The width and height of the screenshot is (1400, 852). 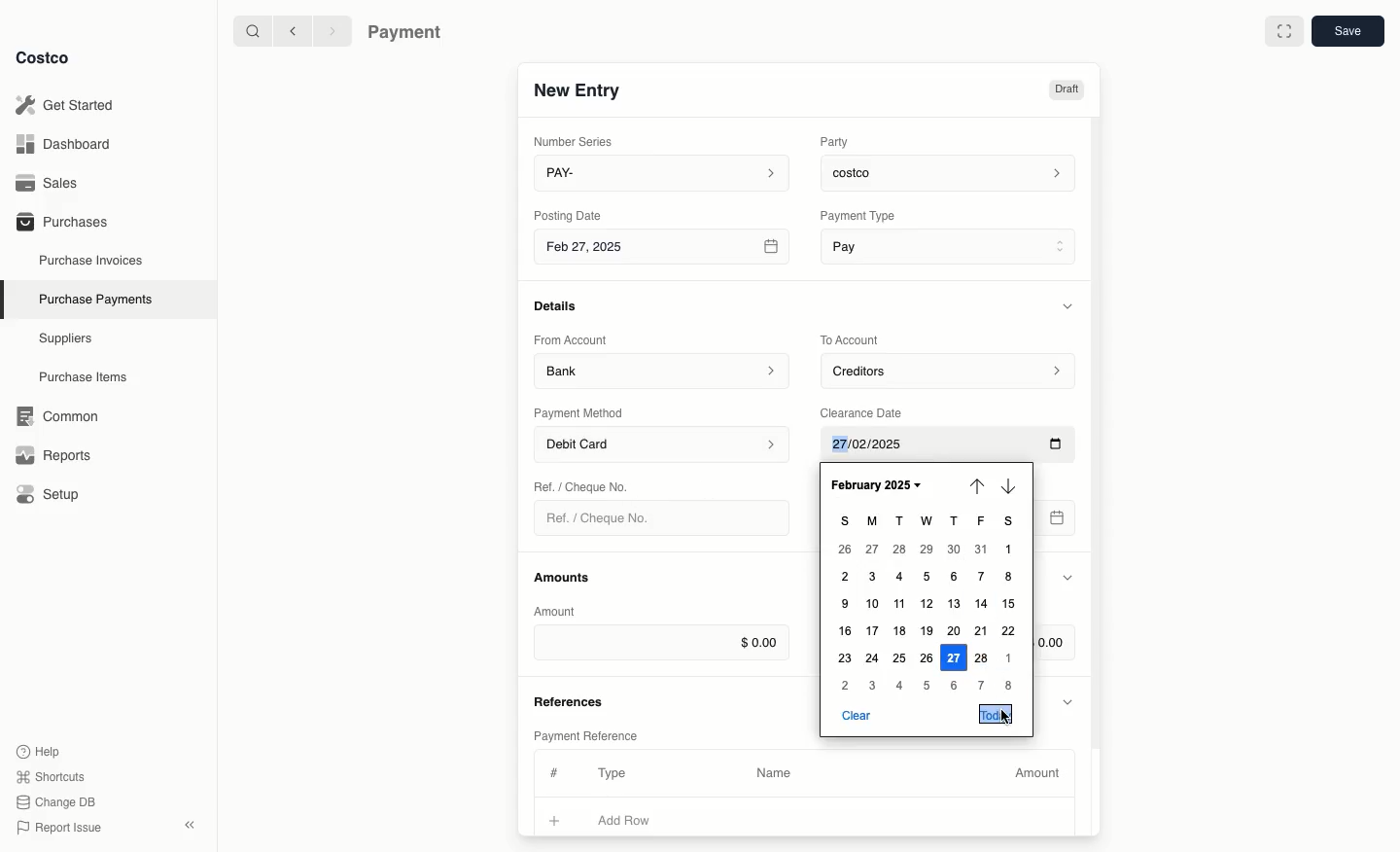 I want to click on Amount, so click(x=558, y=611).